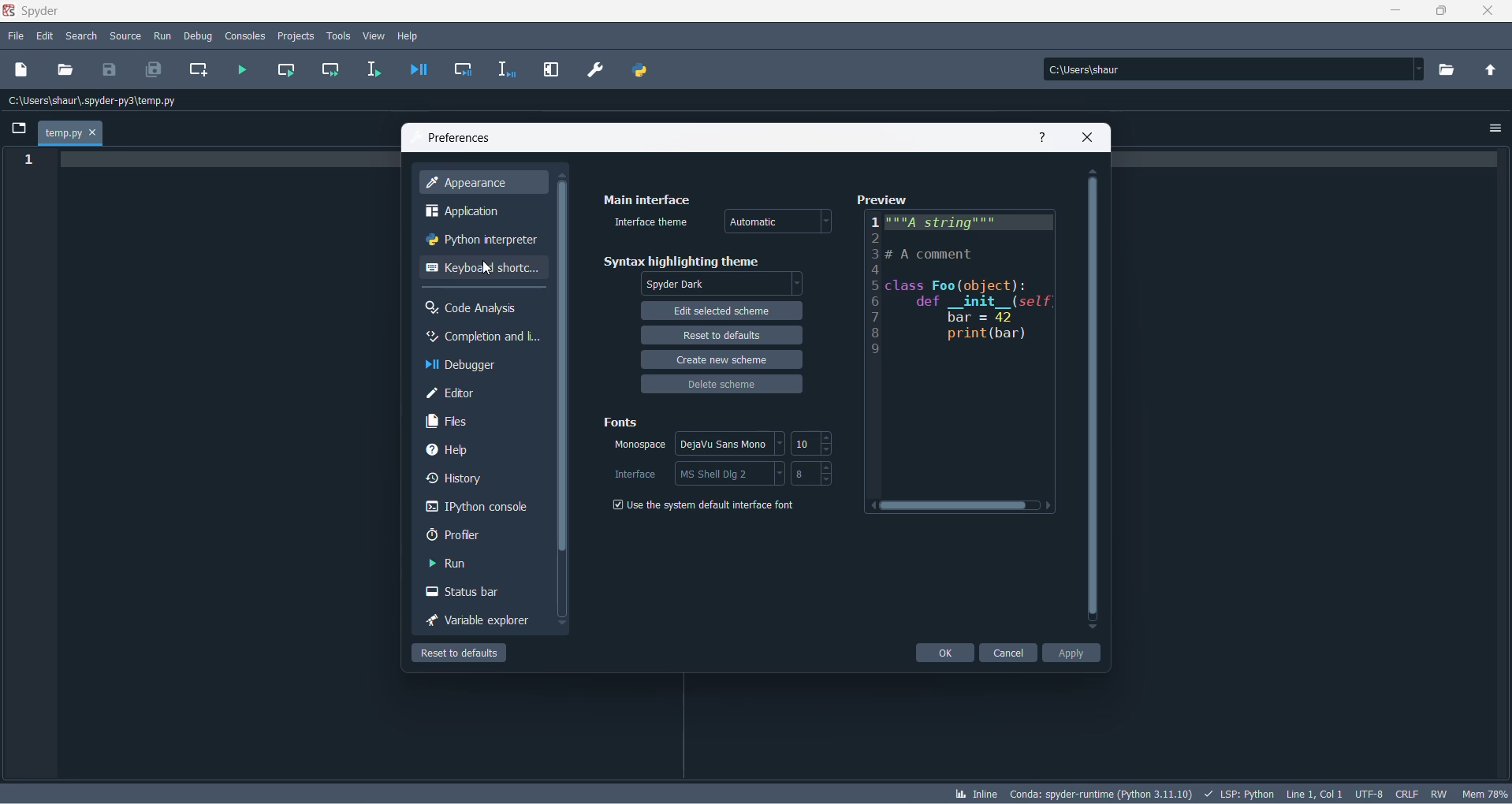 The image size is (1512, 804). I want to click on save, so click(110, 69).